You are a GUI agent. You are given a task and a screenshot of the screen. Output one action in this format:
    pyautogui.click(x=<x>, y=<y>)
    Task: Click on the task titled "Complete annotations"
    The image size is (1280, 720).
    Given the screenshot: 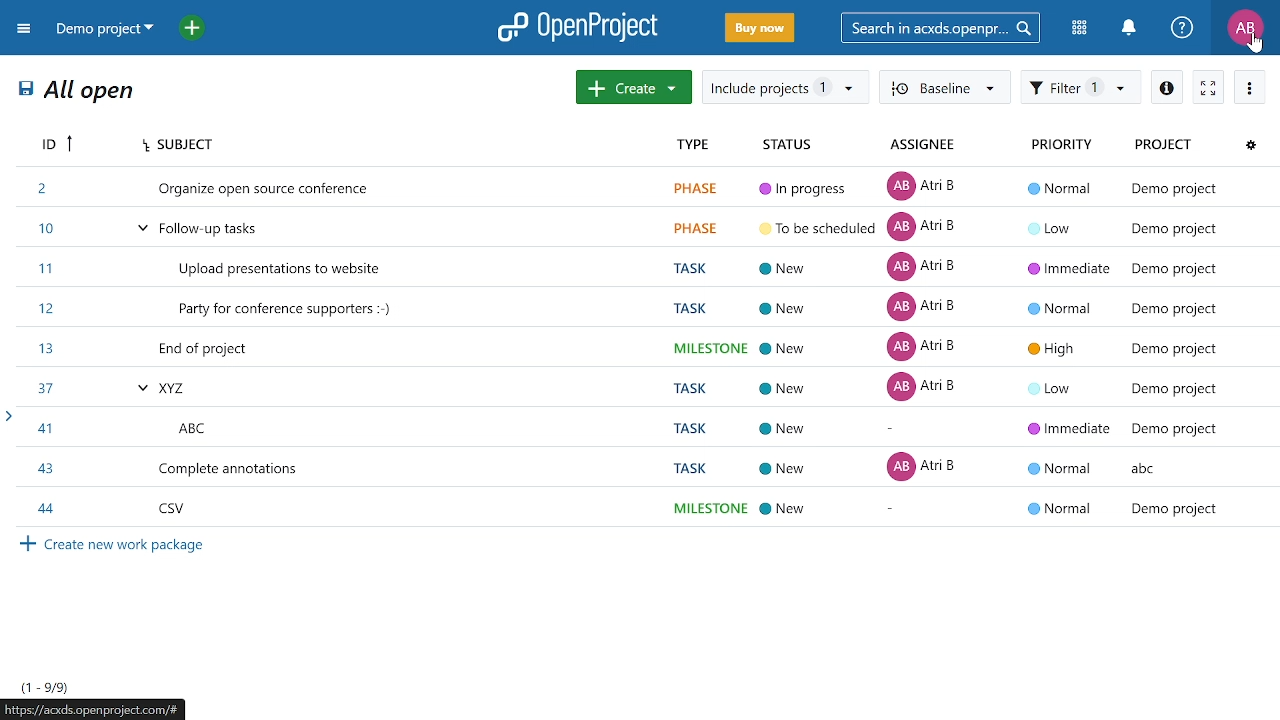 What is the action you would take?
    pyautogui.click(x=640, y=467)
    